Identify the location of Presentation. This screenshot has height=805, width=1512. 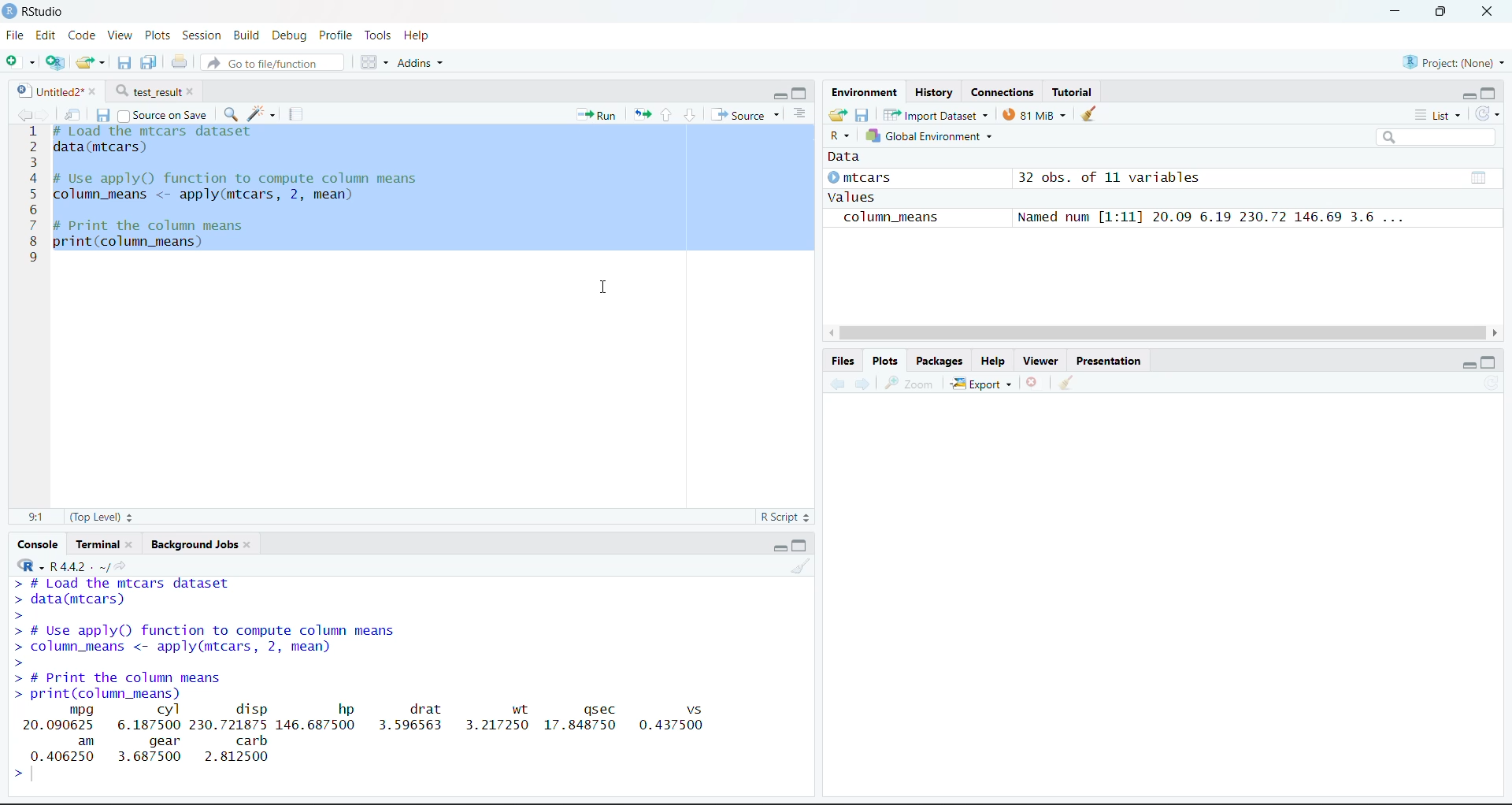
(1109, 358).